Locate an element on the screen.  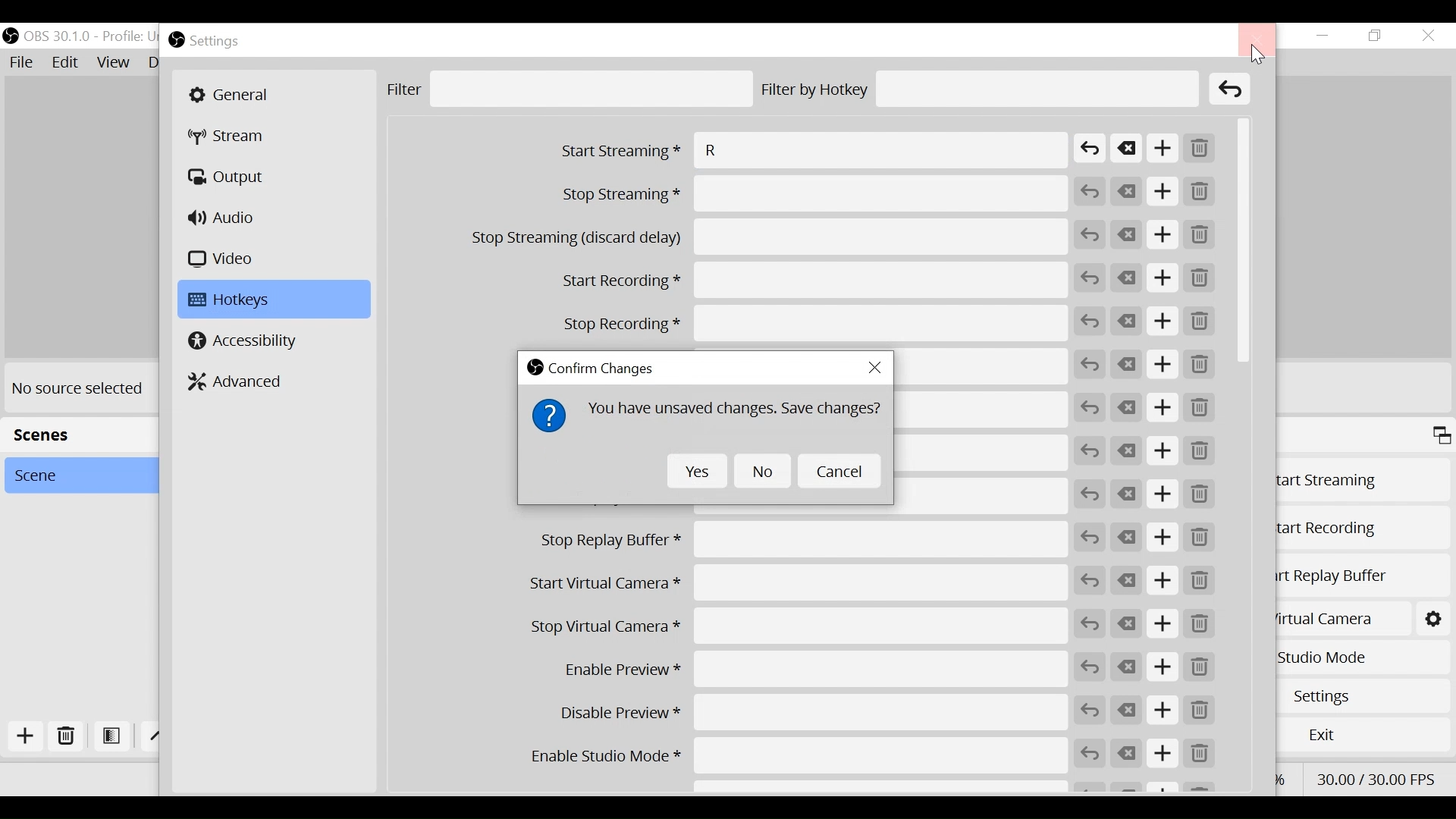
Add is located at coordinates (1163, 453).